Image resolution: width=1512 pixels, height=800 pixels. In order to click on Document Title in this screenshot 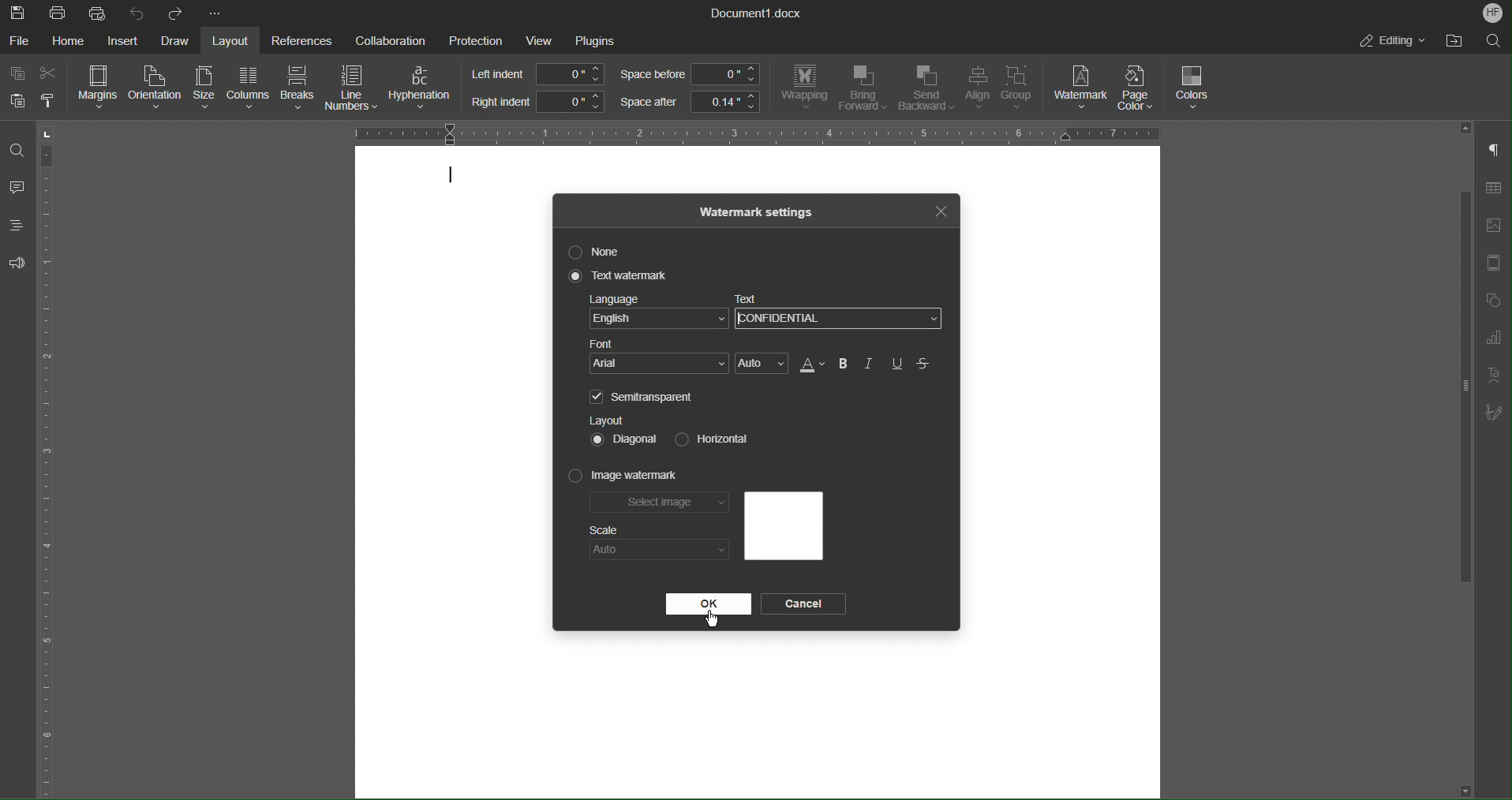, I will do `click(757, 13)`.